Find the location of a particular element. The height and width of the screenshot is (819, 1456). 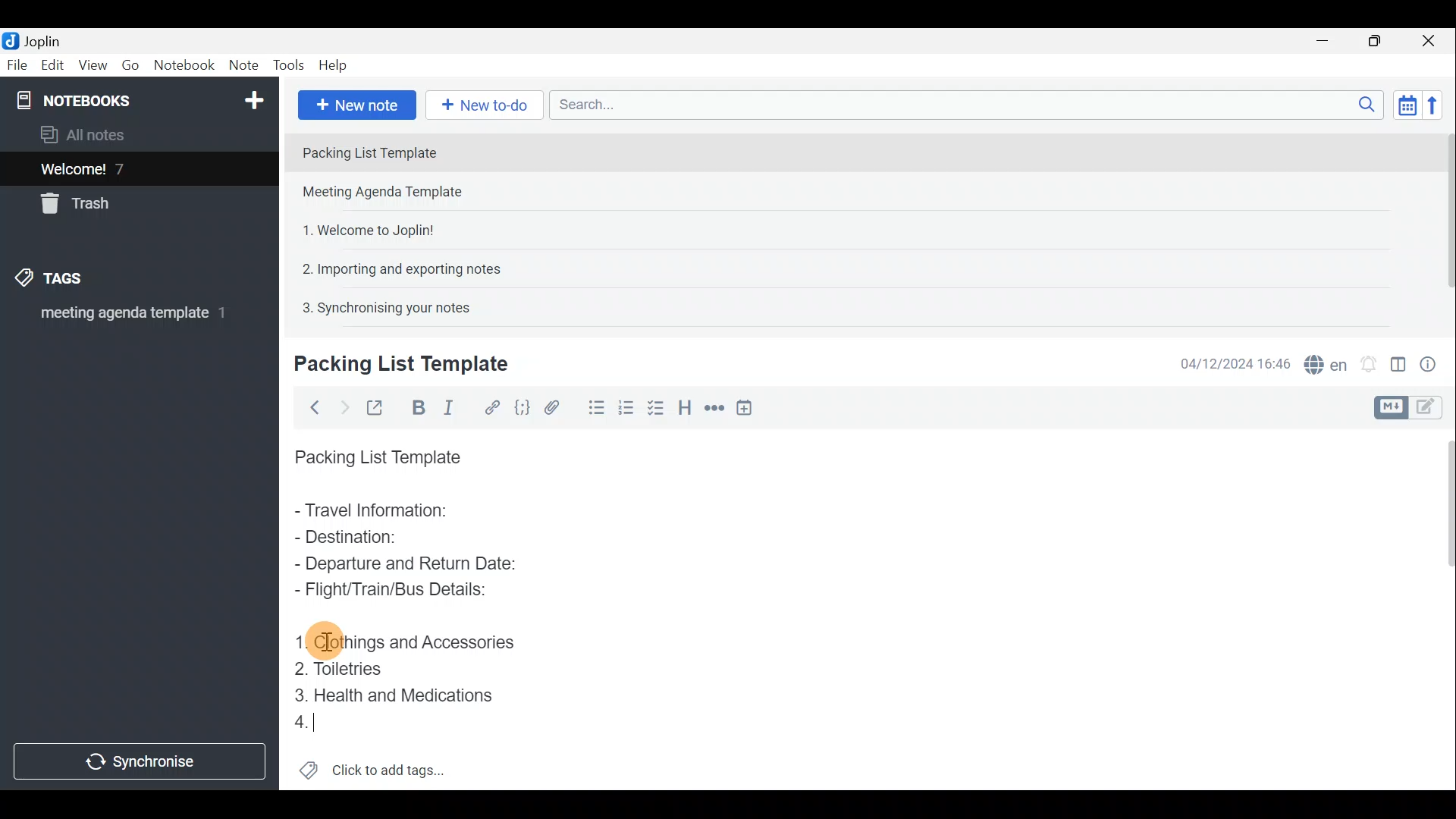

Tags is located at coordinates (74, 281).